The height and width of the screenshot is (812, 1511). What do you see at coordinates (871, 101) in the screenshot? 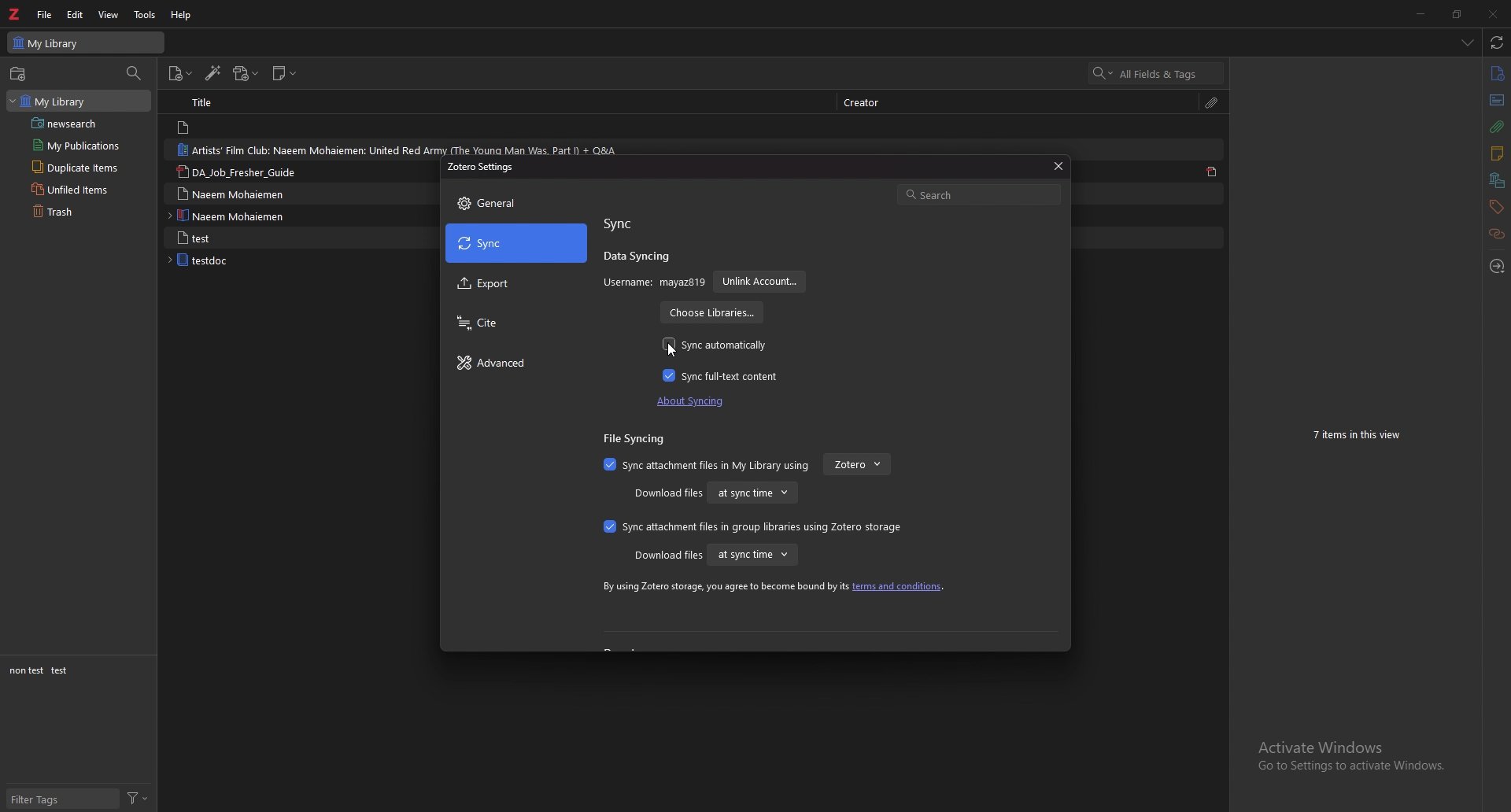
I see `creator` at bounding box center [871, 101].